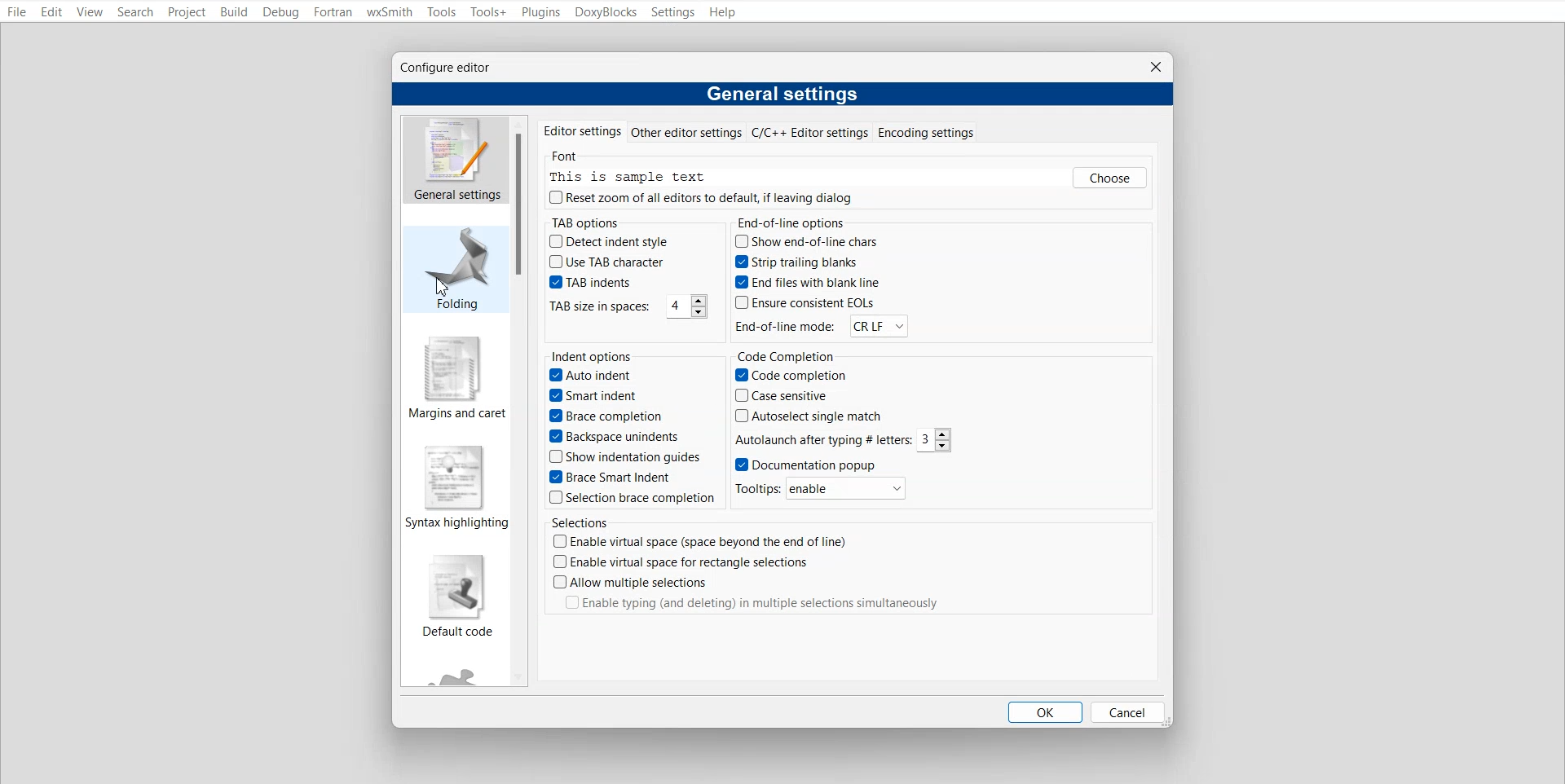 Image resolution: width=1565 pixels, height=784 pixels. Describe the element at coordinates (681, 562) in the screenshot. I see `(CJ Enable virtual space for rectangle selections` at that location.